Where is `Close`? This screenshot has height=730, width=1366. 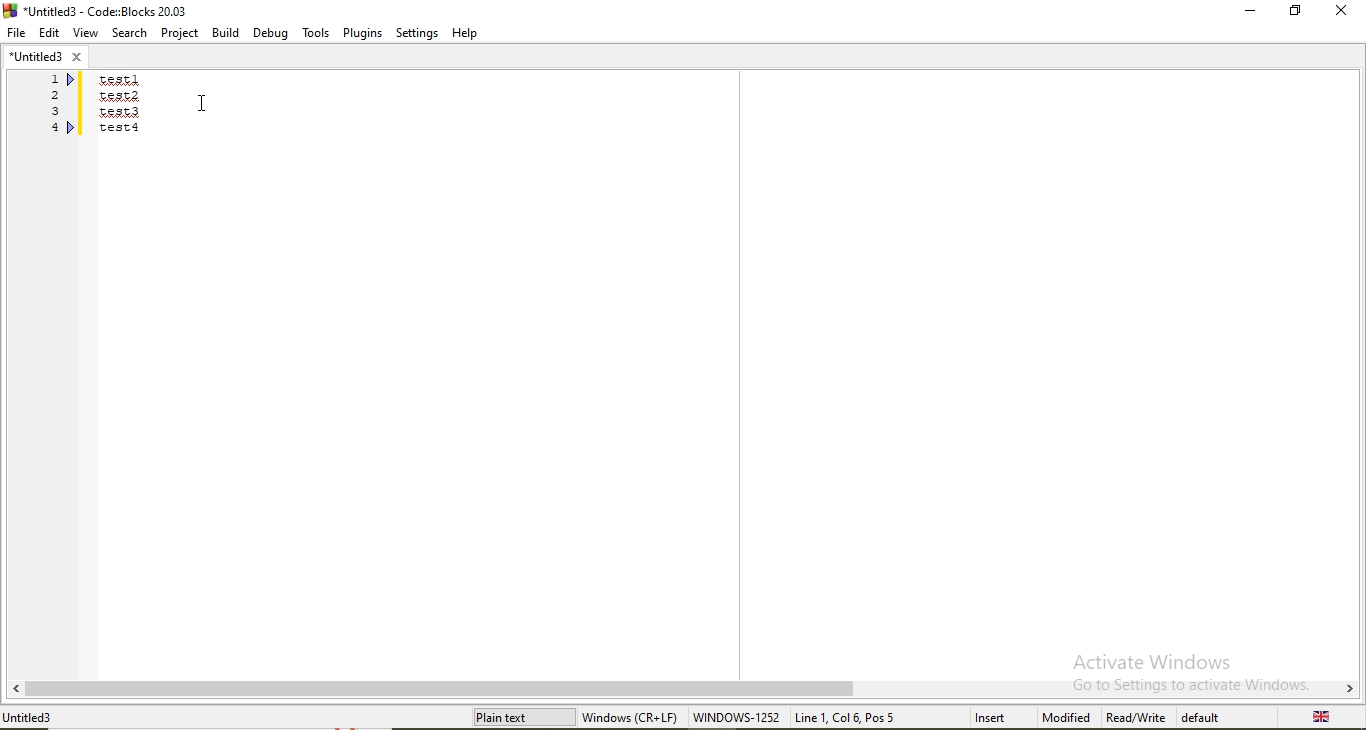
Close is located at coordinates (1340, 11).